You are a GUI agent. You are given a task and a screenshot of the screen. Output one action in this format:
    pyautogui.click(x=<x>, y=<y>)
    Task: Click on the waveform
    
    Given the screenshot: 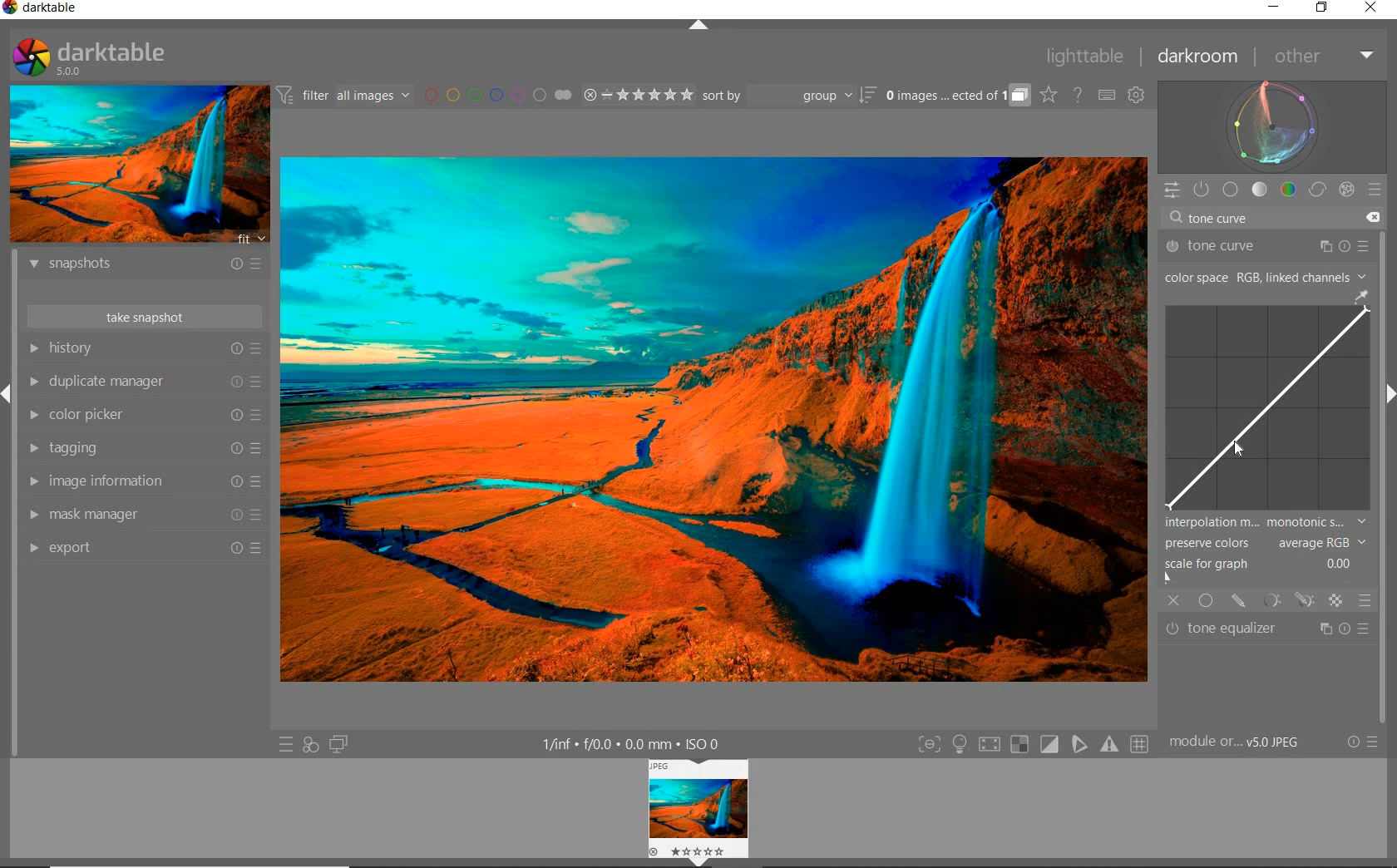 What is the action you would take?
    pyautogui.click(x=1273, y=126)
    